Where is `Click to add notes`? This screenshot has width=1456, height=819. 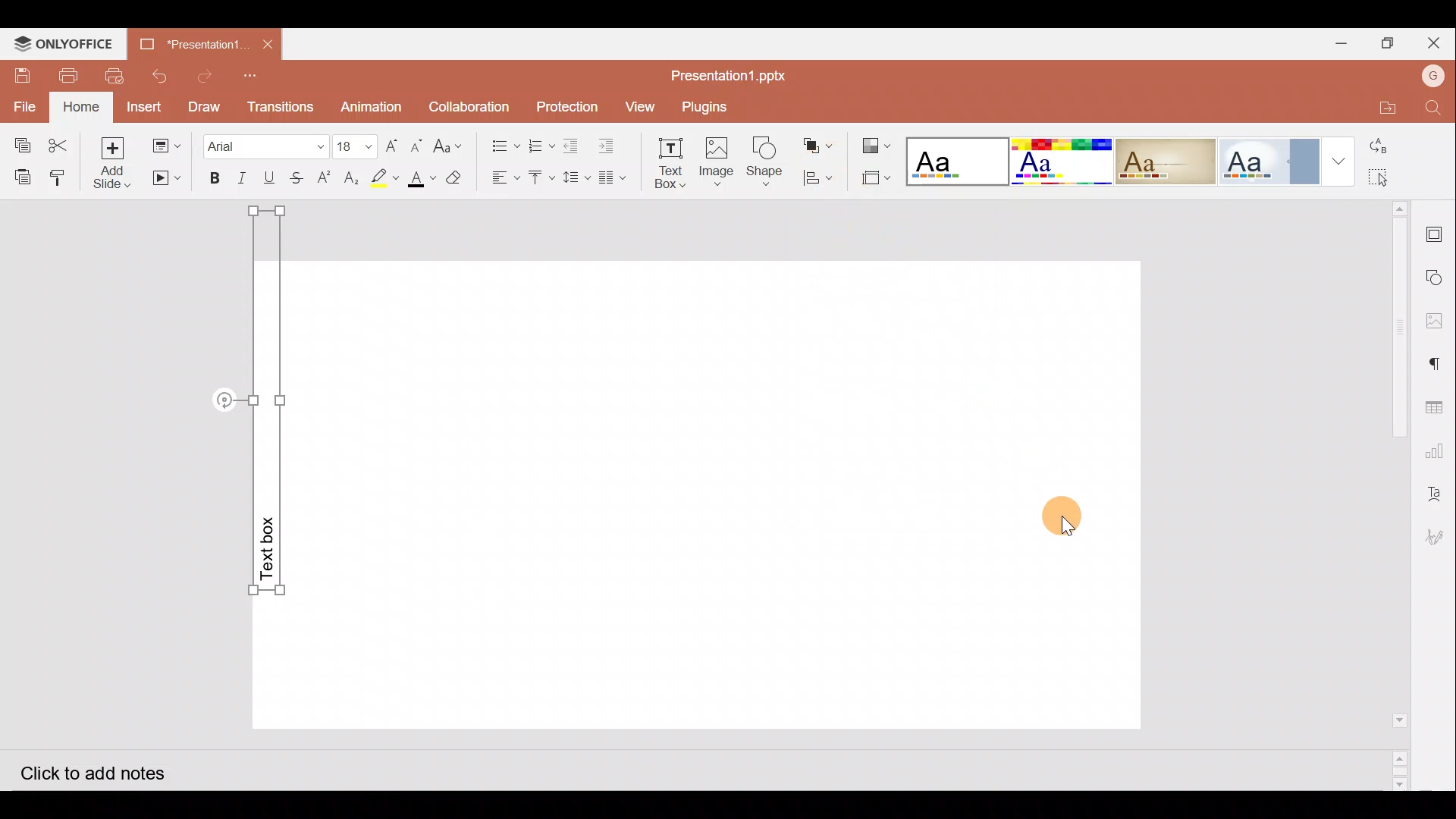 Click to add notes is located at coordinates (105, 770).